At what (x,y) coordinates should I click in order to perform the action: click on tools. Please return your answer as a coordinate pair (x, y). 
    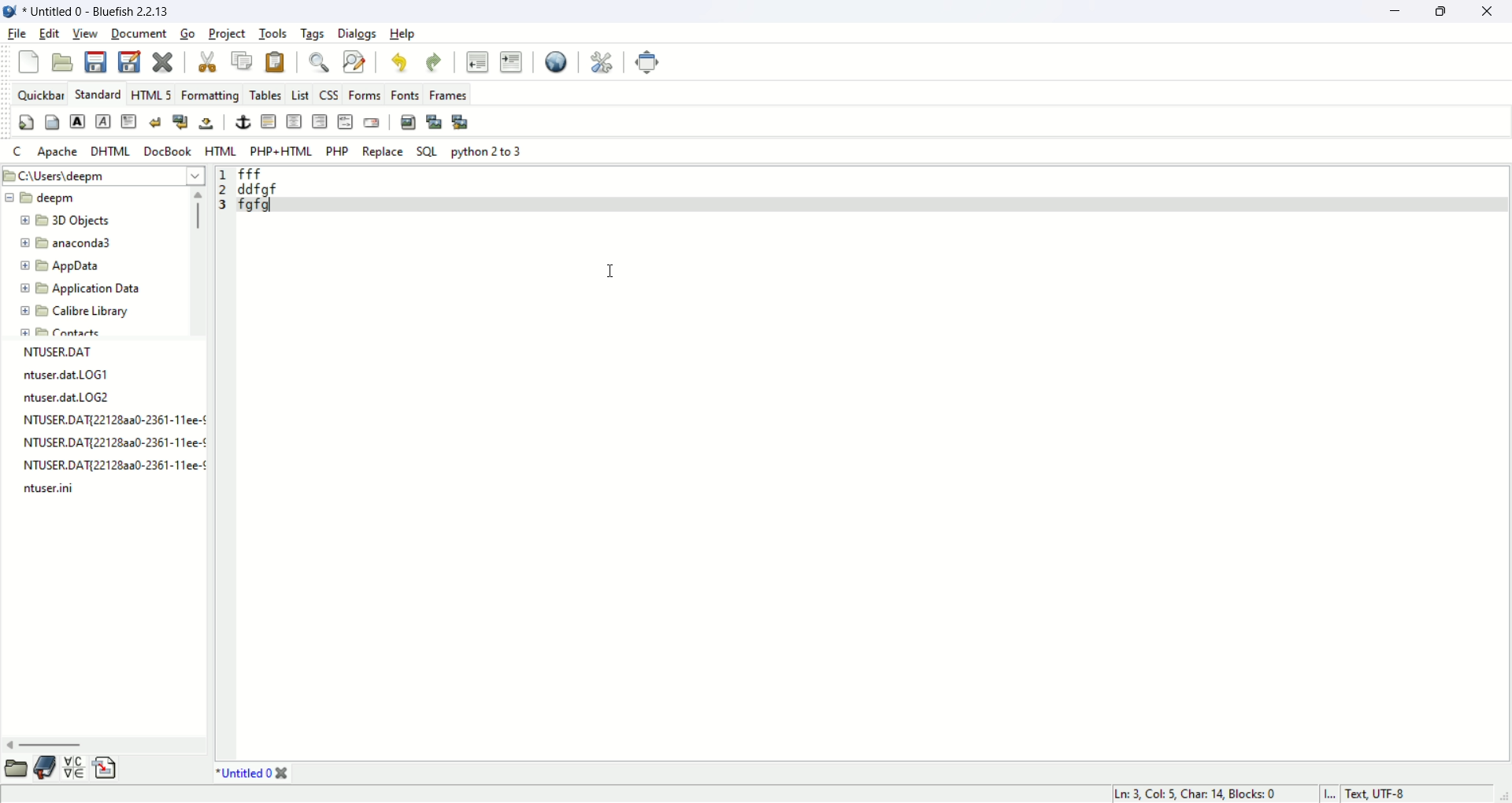
    Looking at the image, I should click on (272, 34).